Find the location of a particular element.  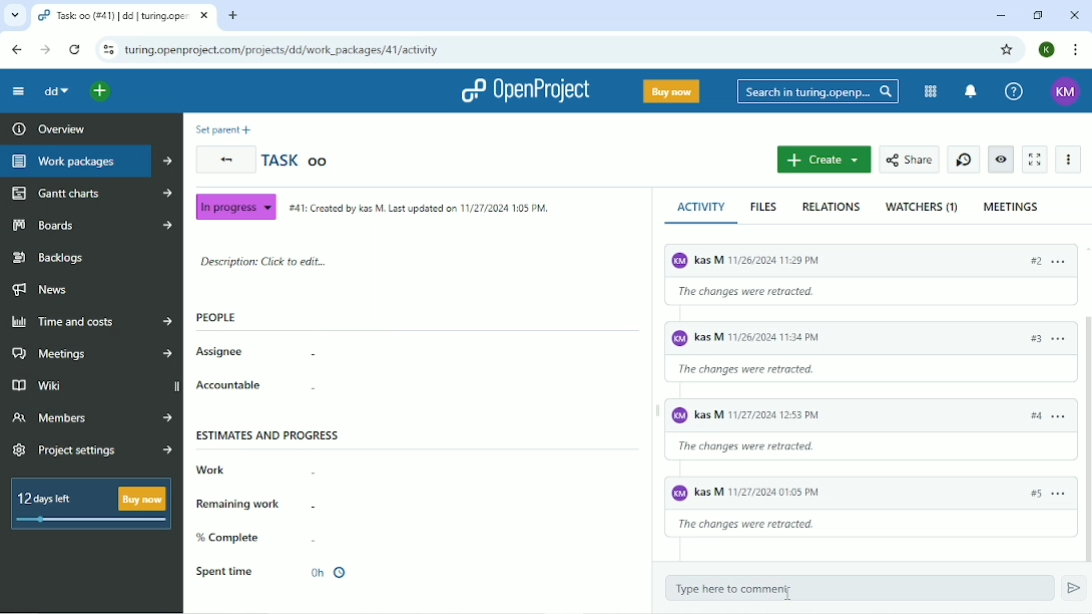

Restore down is located at coordinates (1039, 16).